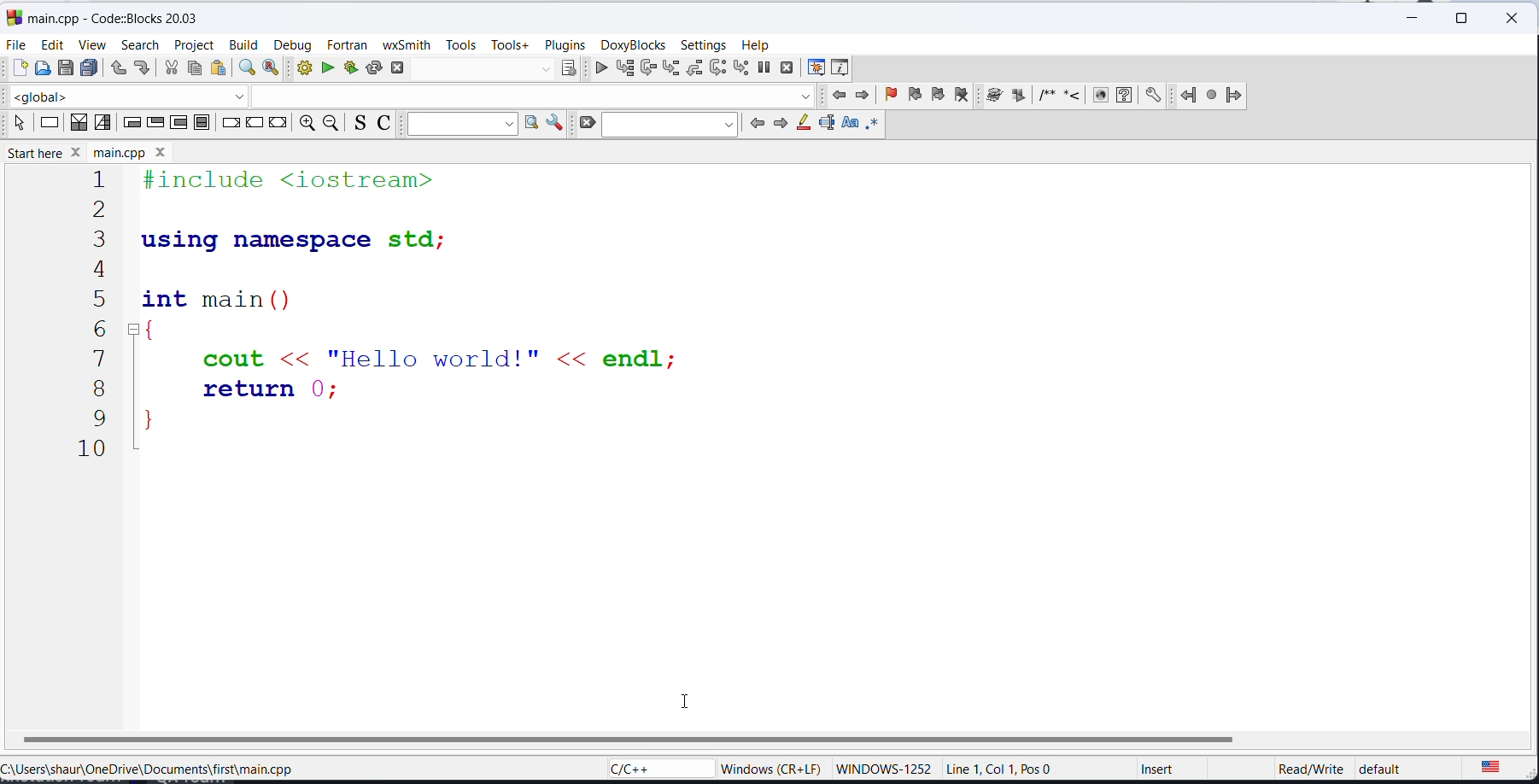 The image size is (1539, 784). I want to click on settings, so click(557, 123).